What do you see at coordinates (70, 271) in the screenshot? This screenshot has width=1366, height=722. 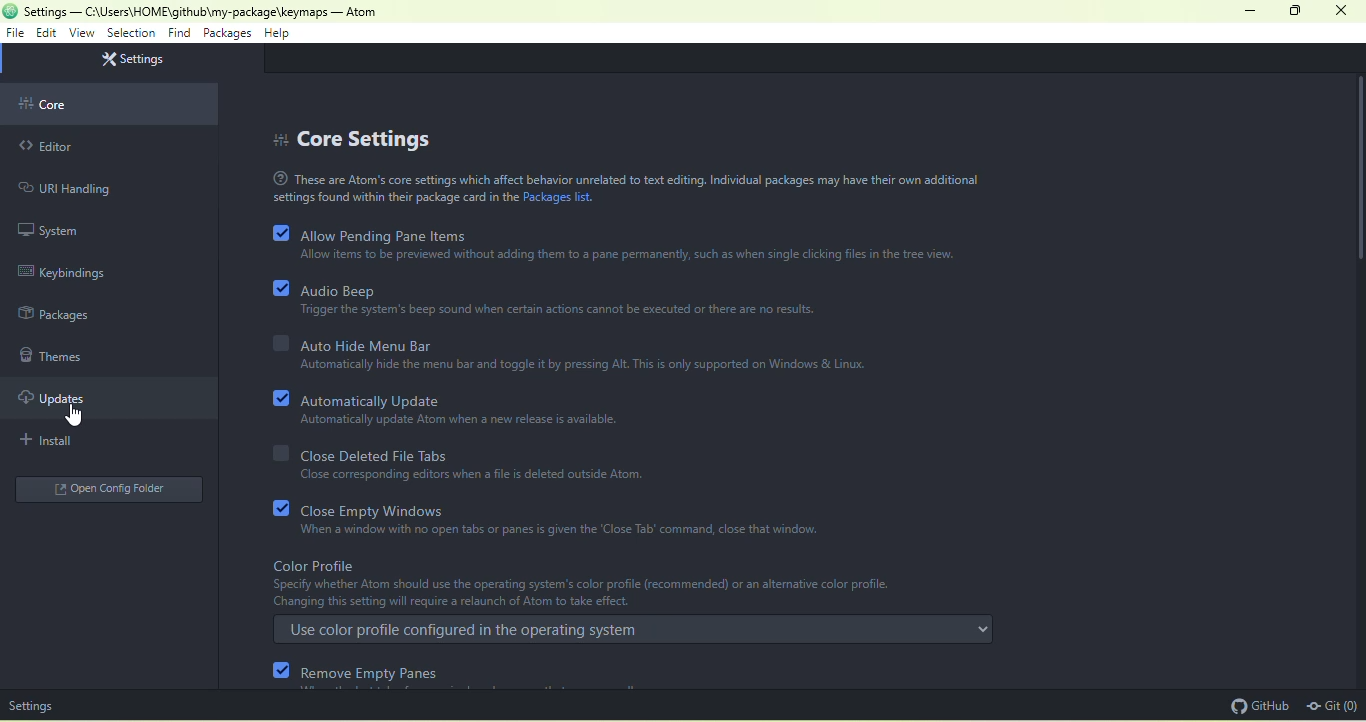 I see `keybindings` at bounding box center [70, 271].